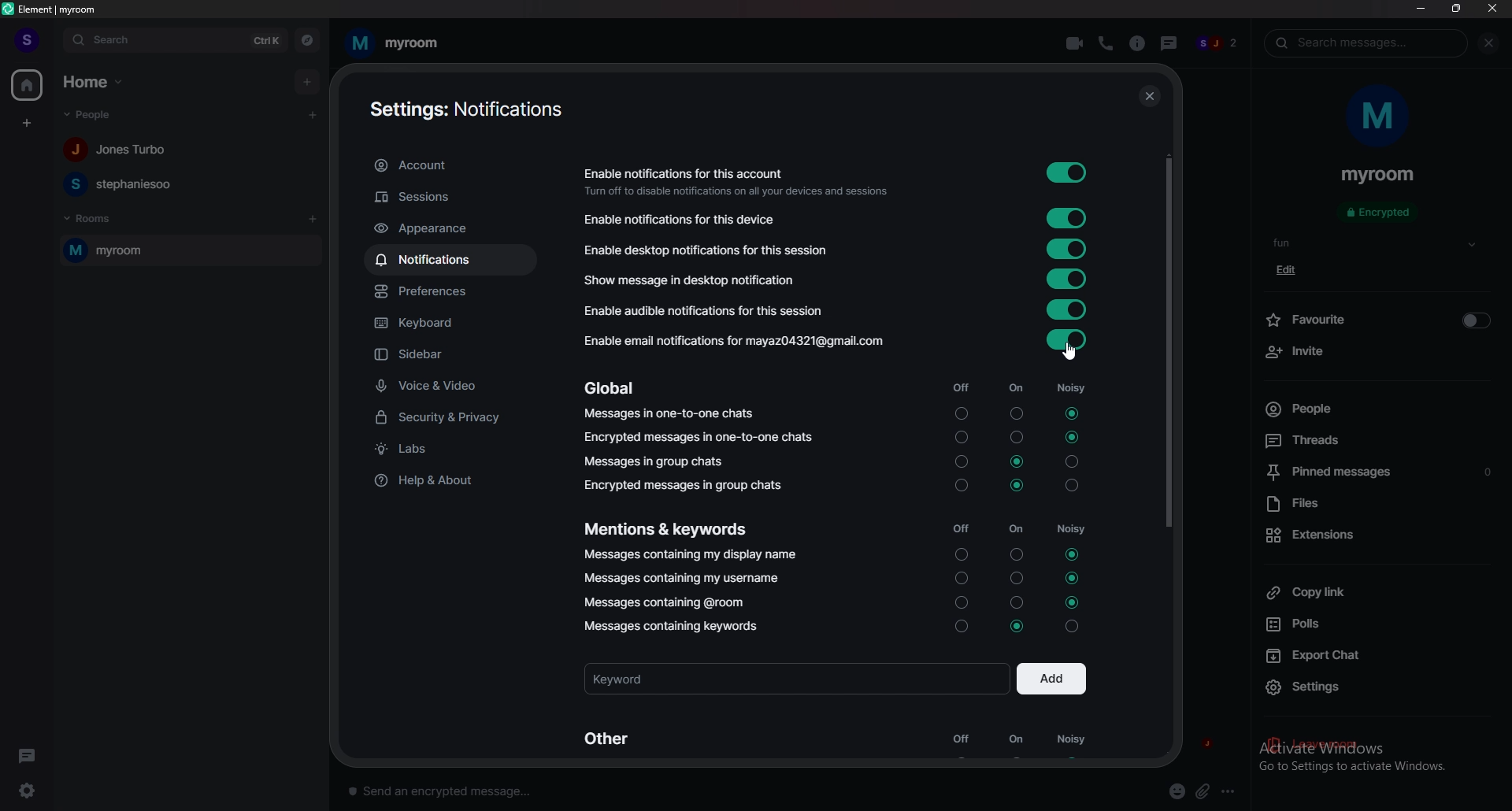 This screenshot has width=1512, height=811. What do you see at coordinates (1373, 624) in the screenshot?
I see `polls` at bounding box center [1373, 624].